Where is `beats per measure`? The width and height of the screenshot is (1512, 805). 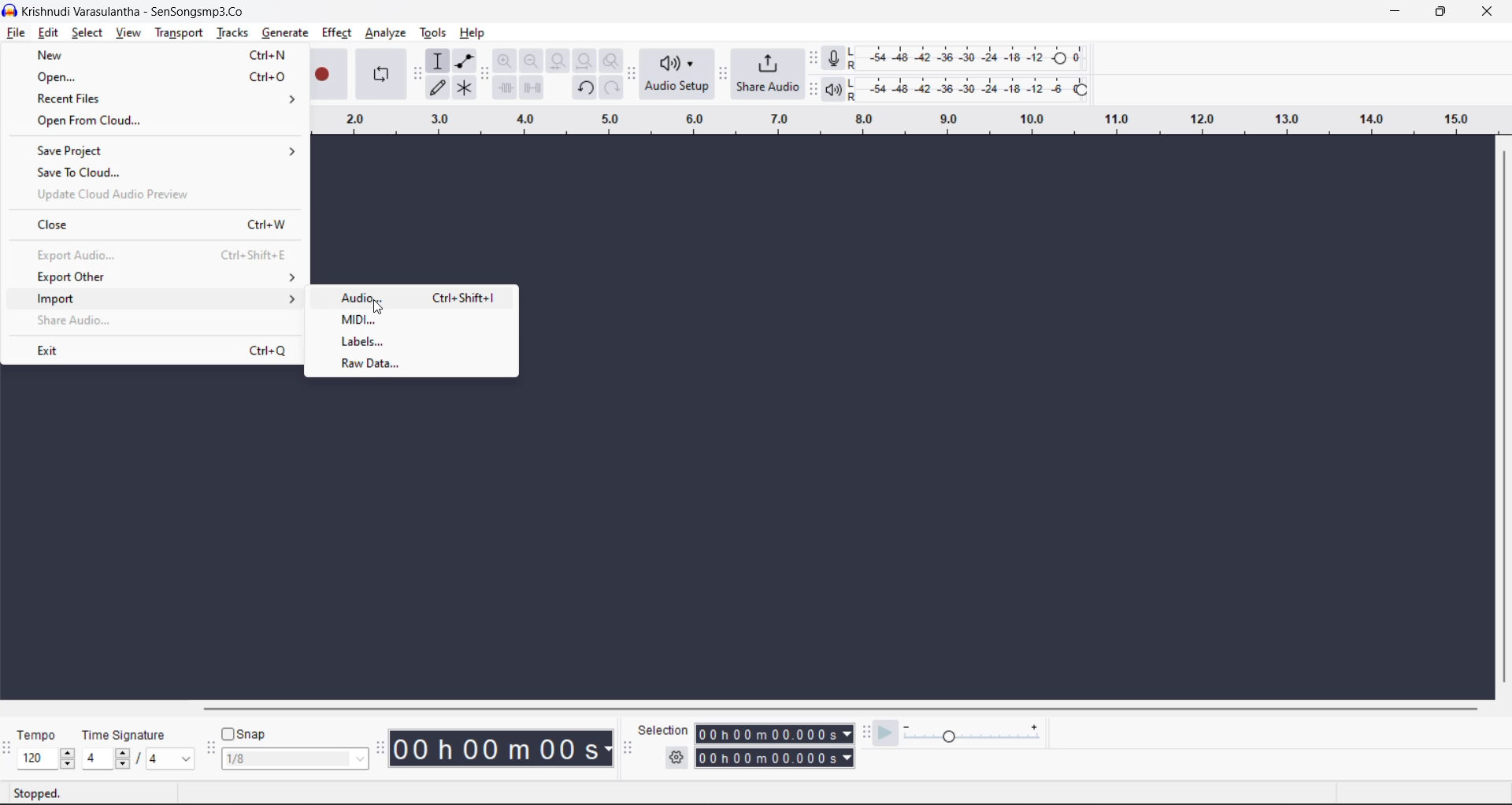
beats per measure is located at coordinates (138, 757).